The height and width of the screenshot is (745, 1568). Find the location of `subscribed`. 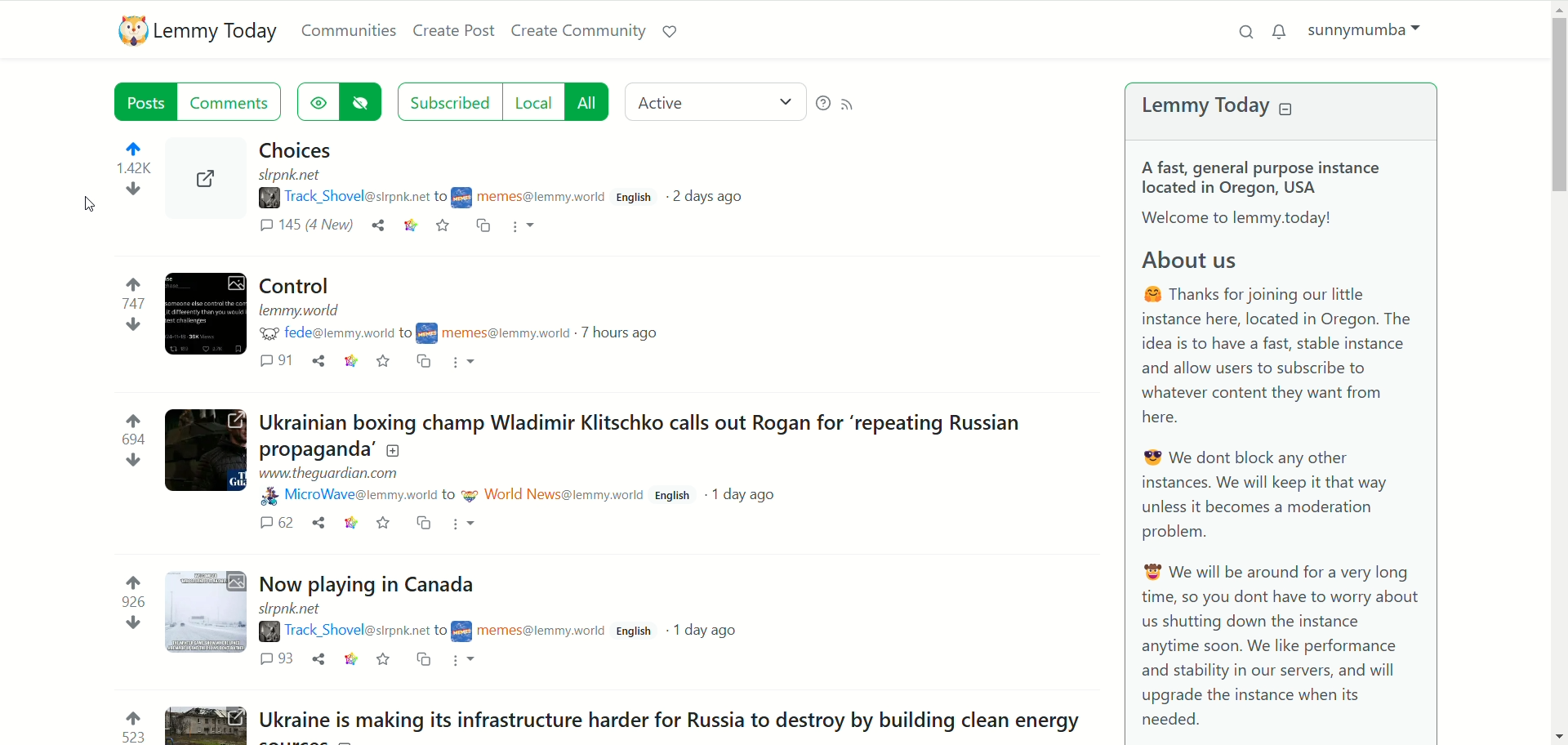

subscribed is located at coordinates (448, 101).